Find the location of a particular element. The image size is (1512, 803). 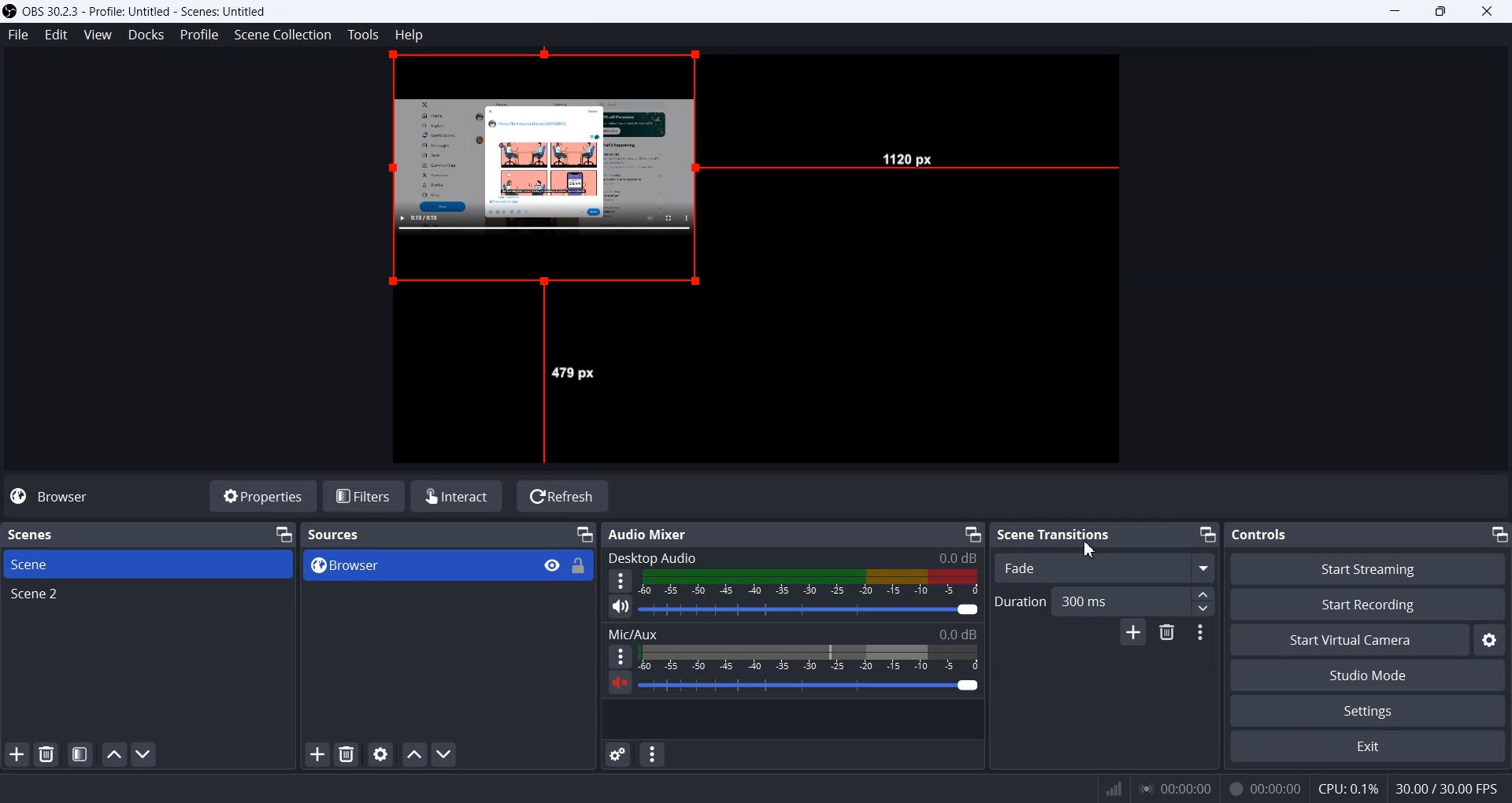

Lock is located at coordinates (583, 572).